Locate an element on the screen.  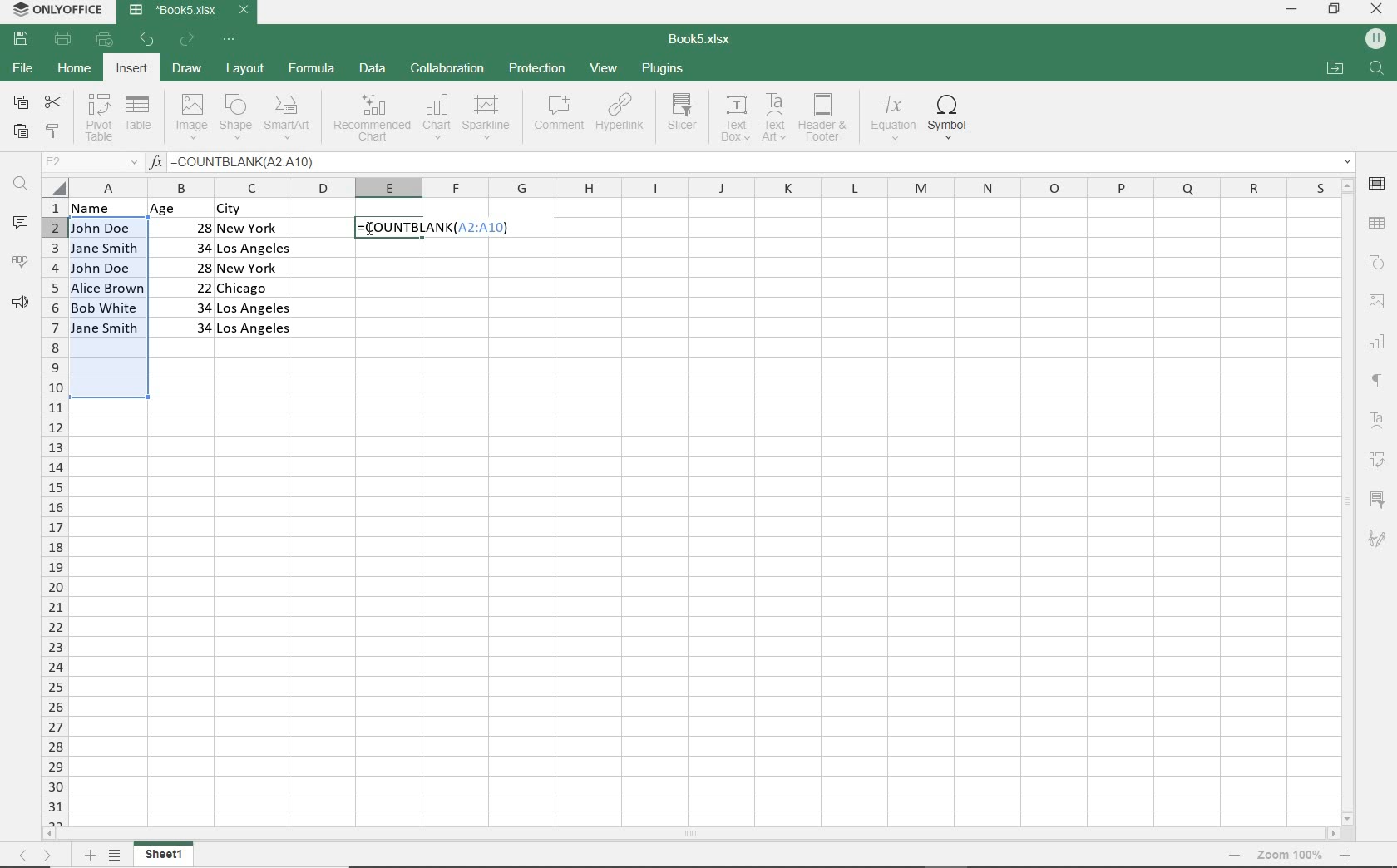
FIND is located at coordinates (1379, 70).